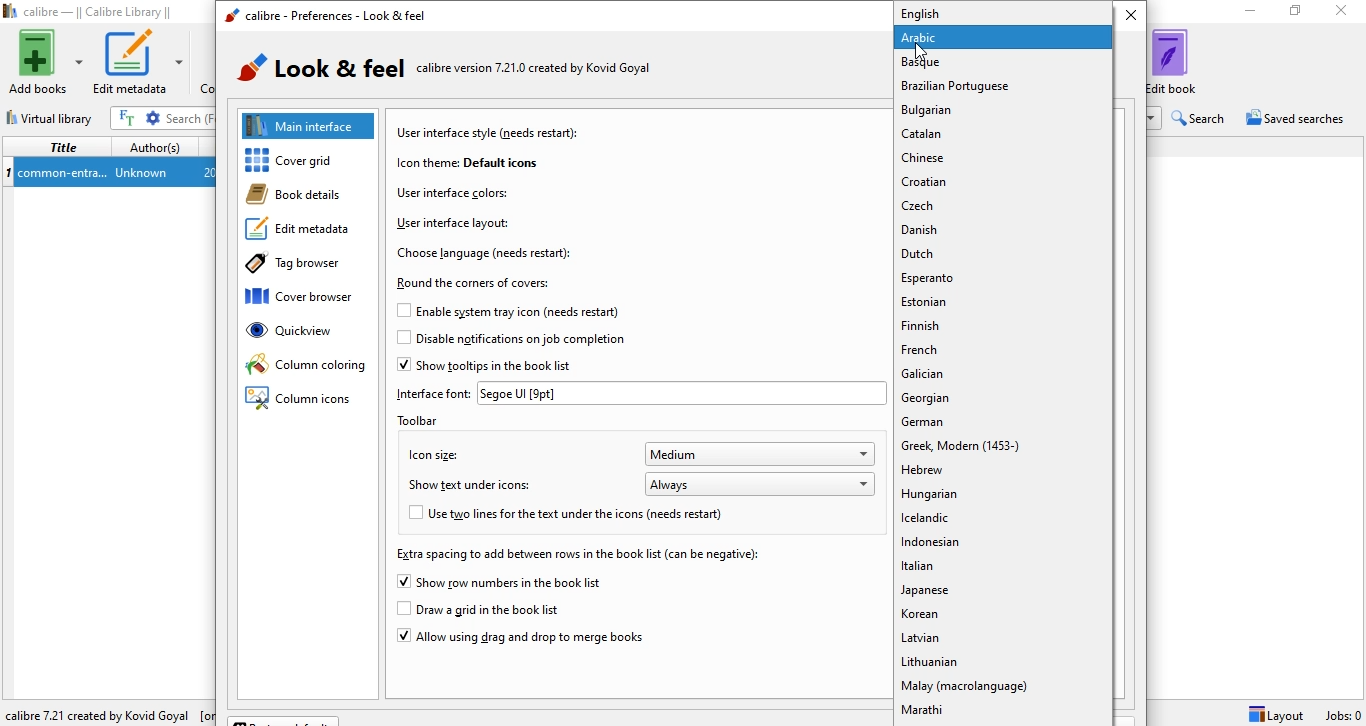  I want to click on chinese, so click(1001, 156).